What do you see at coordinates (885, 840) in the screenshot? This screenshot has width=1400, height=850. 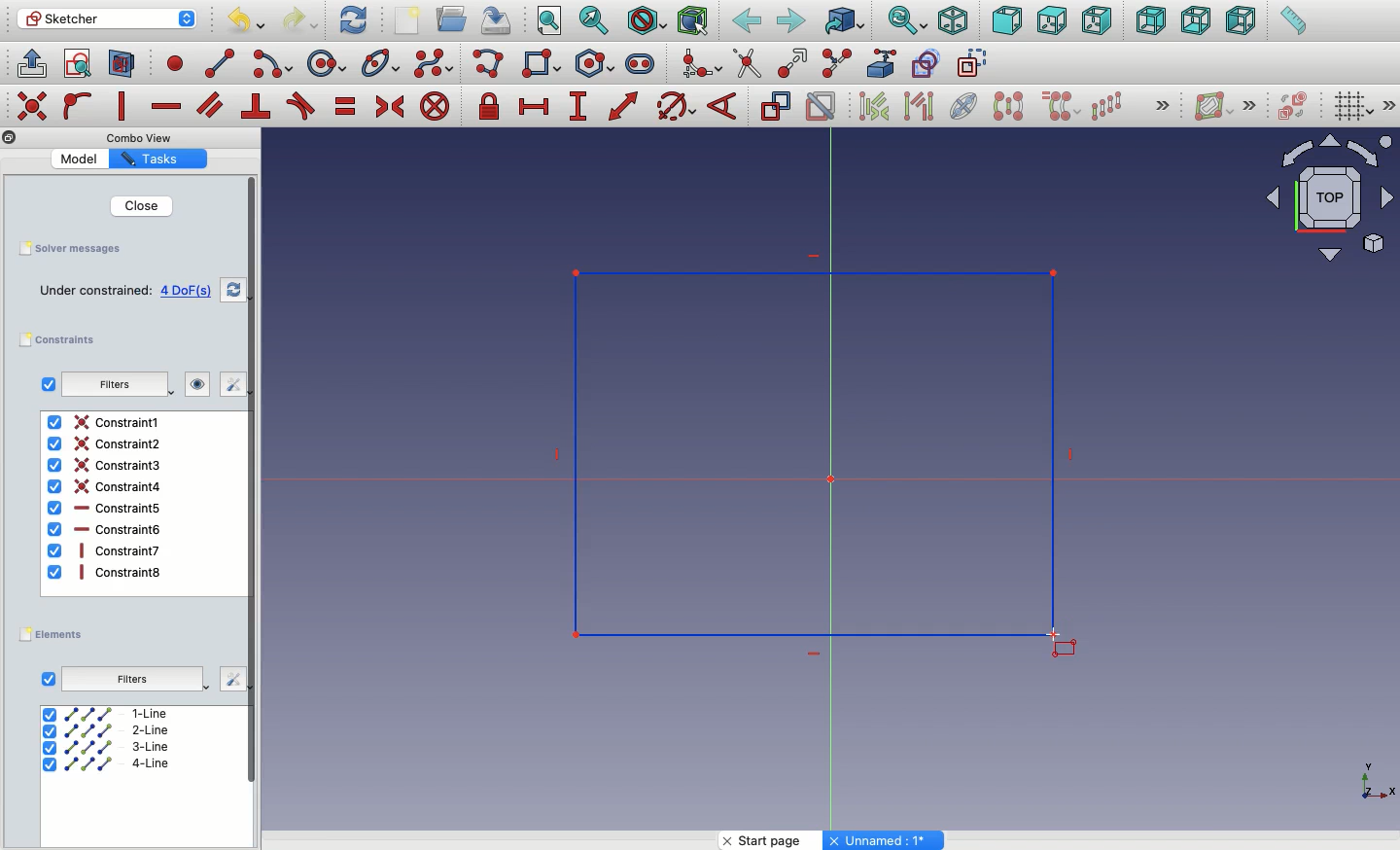 I see `Unnamed: 1` at bounding box center [885, 840].